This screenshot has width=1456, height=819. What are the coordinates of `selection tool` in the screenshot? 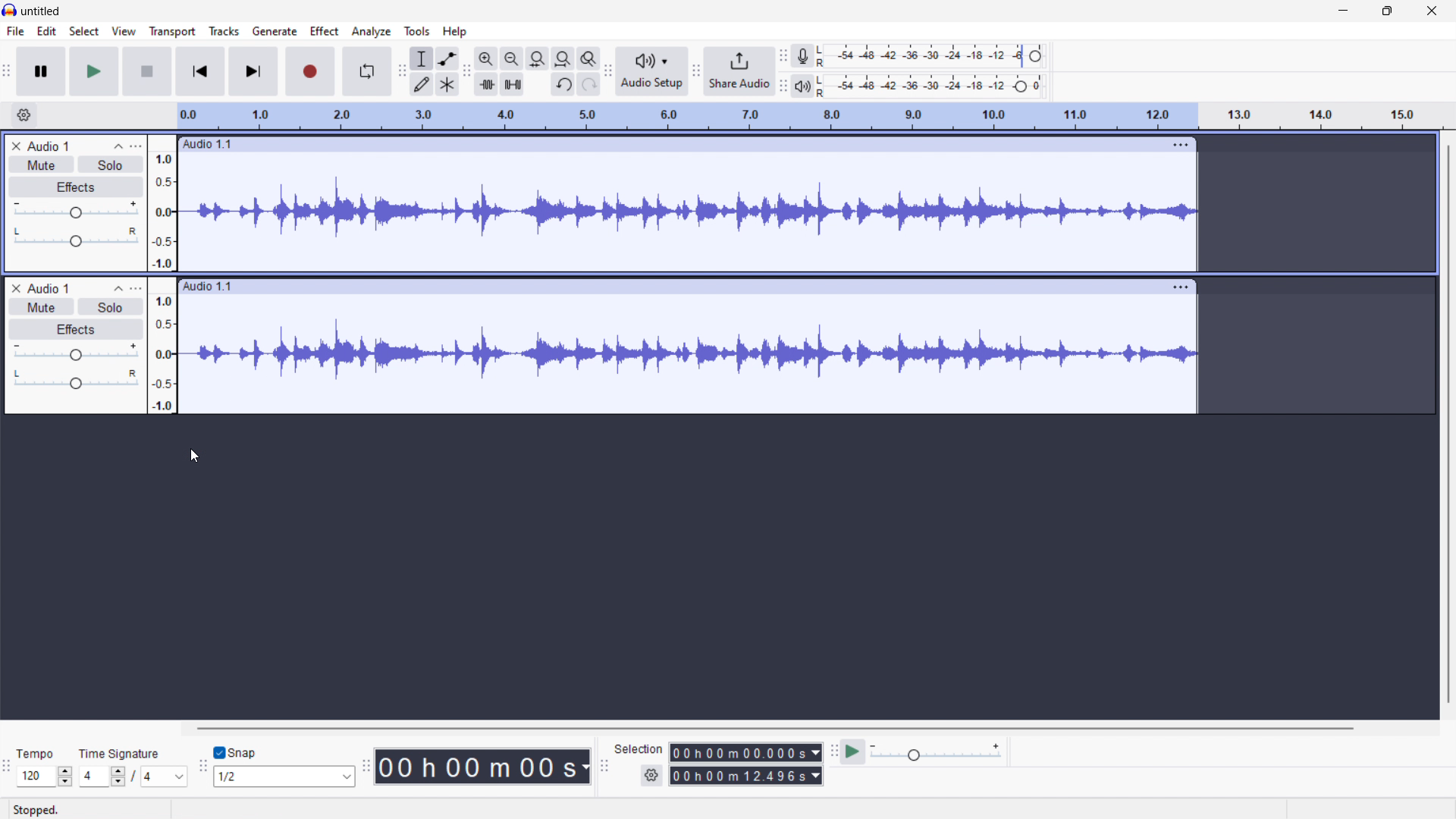 It's located at (422, 58).